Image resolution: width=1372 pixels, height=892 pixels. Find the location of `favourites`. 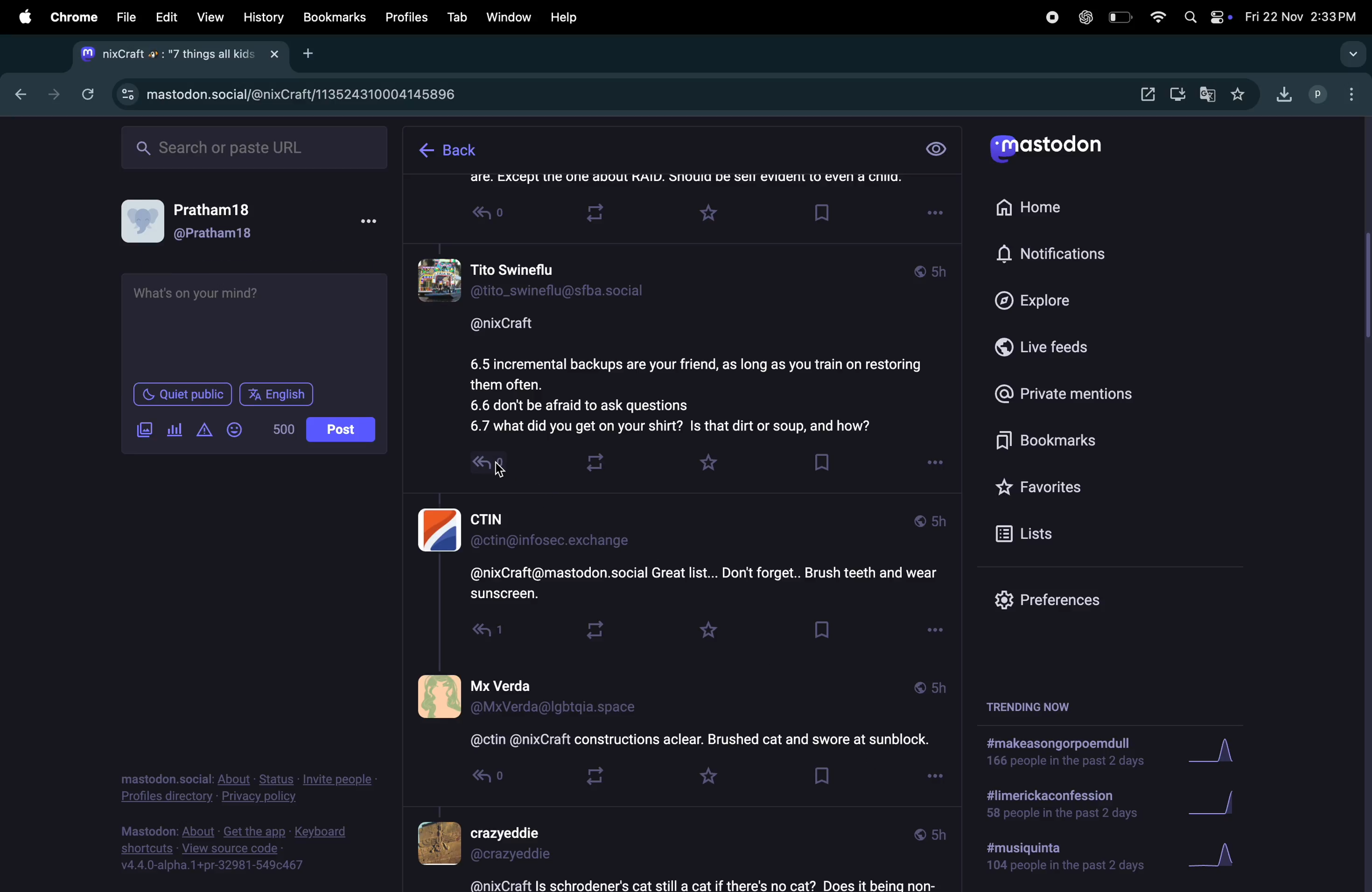

favourites is located at coordinates (1239, 95).